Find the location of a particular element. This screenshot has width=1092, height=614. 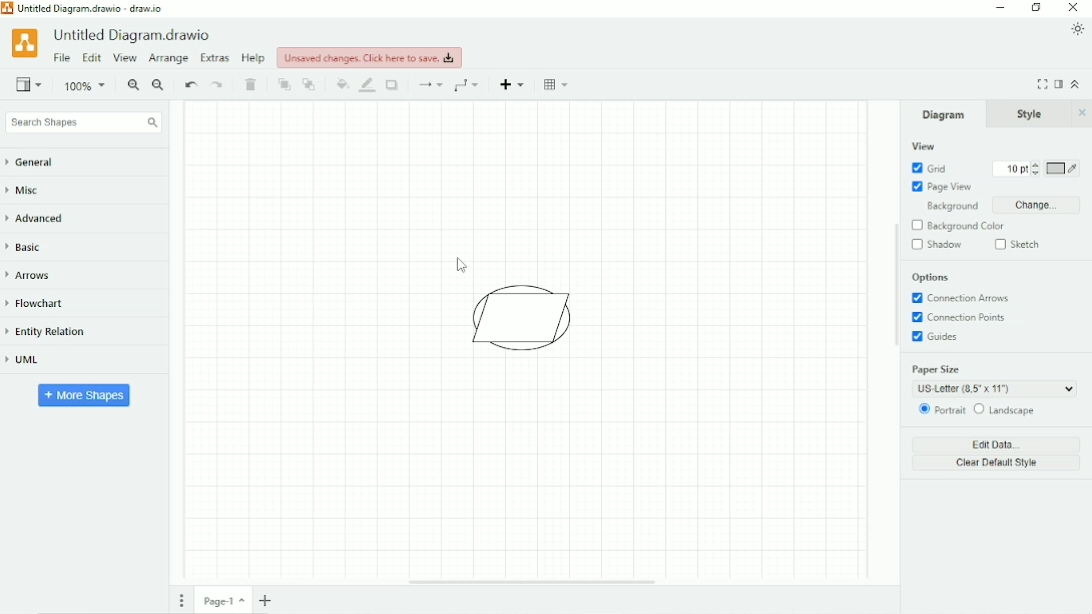

Edit data is located at coordinates (998, 444).